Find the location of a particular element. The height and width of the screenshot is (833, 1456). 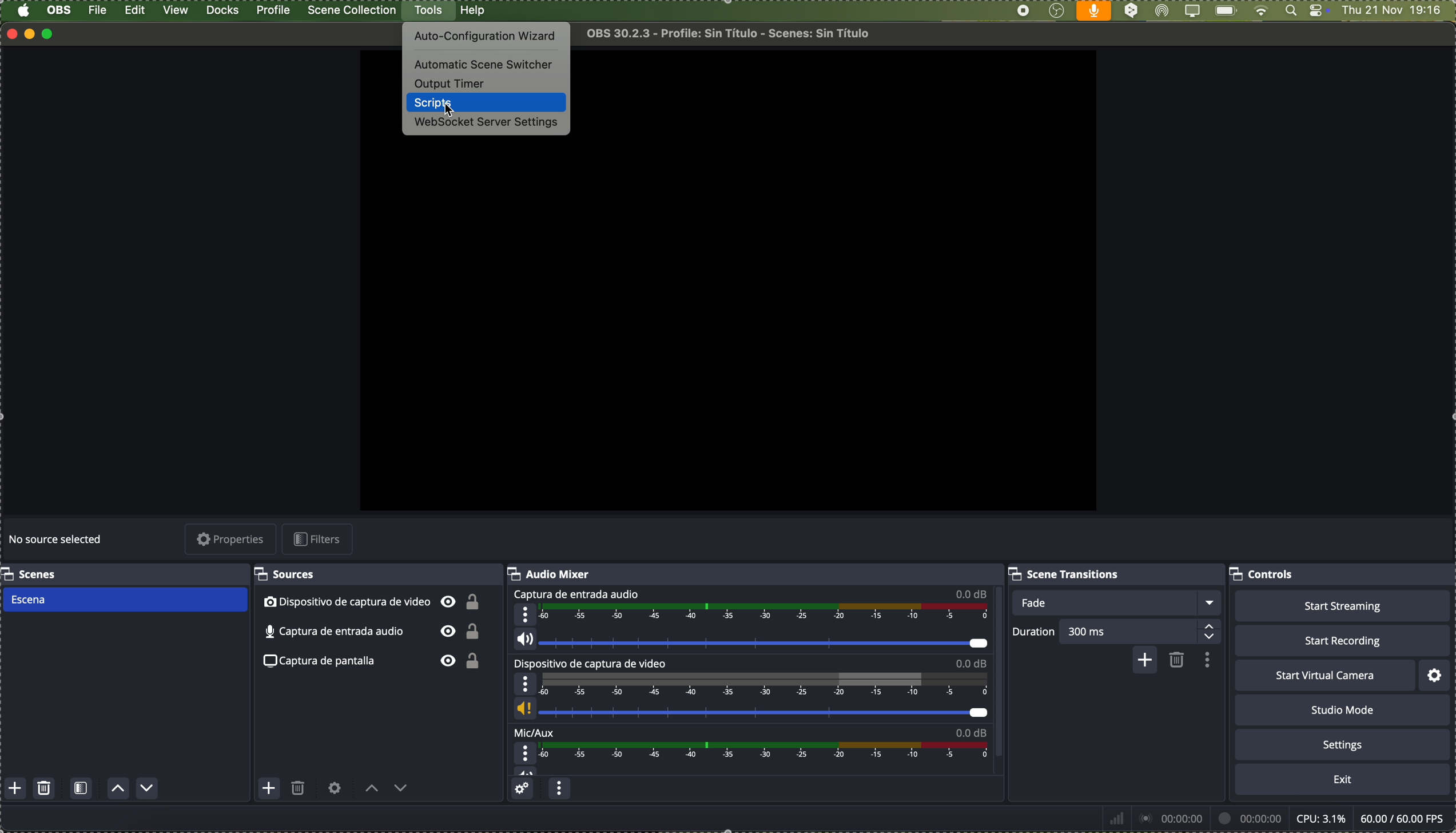

audio mixer is located at coordinates (550, 573).